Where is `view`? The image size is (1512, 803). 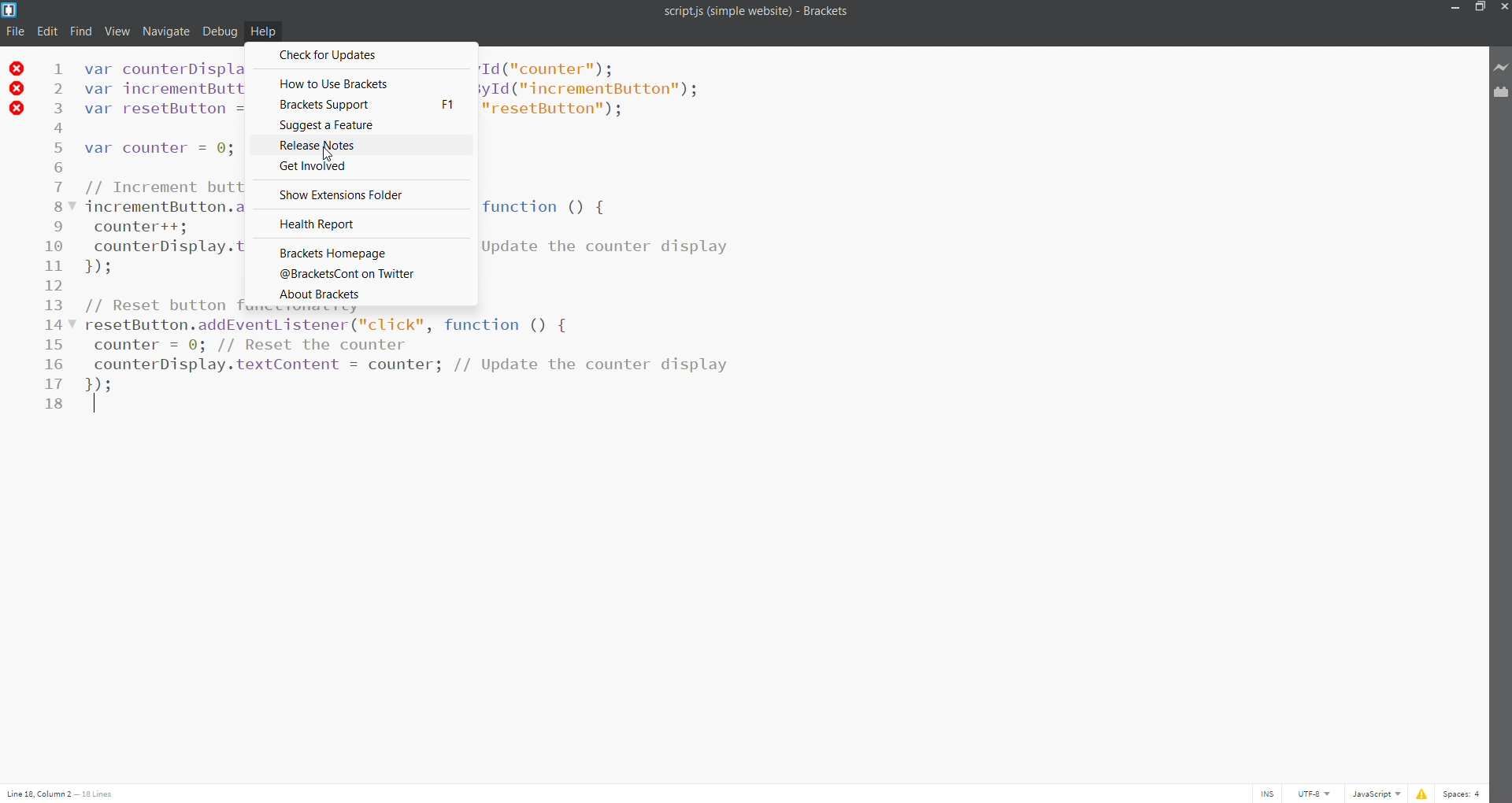
view is located at coordinates (117, 31).